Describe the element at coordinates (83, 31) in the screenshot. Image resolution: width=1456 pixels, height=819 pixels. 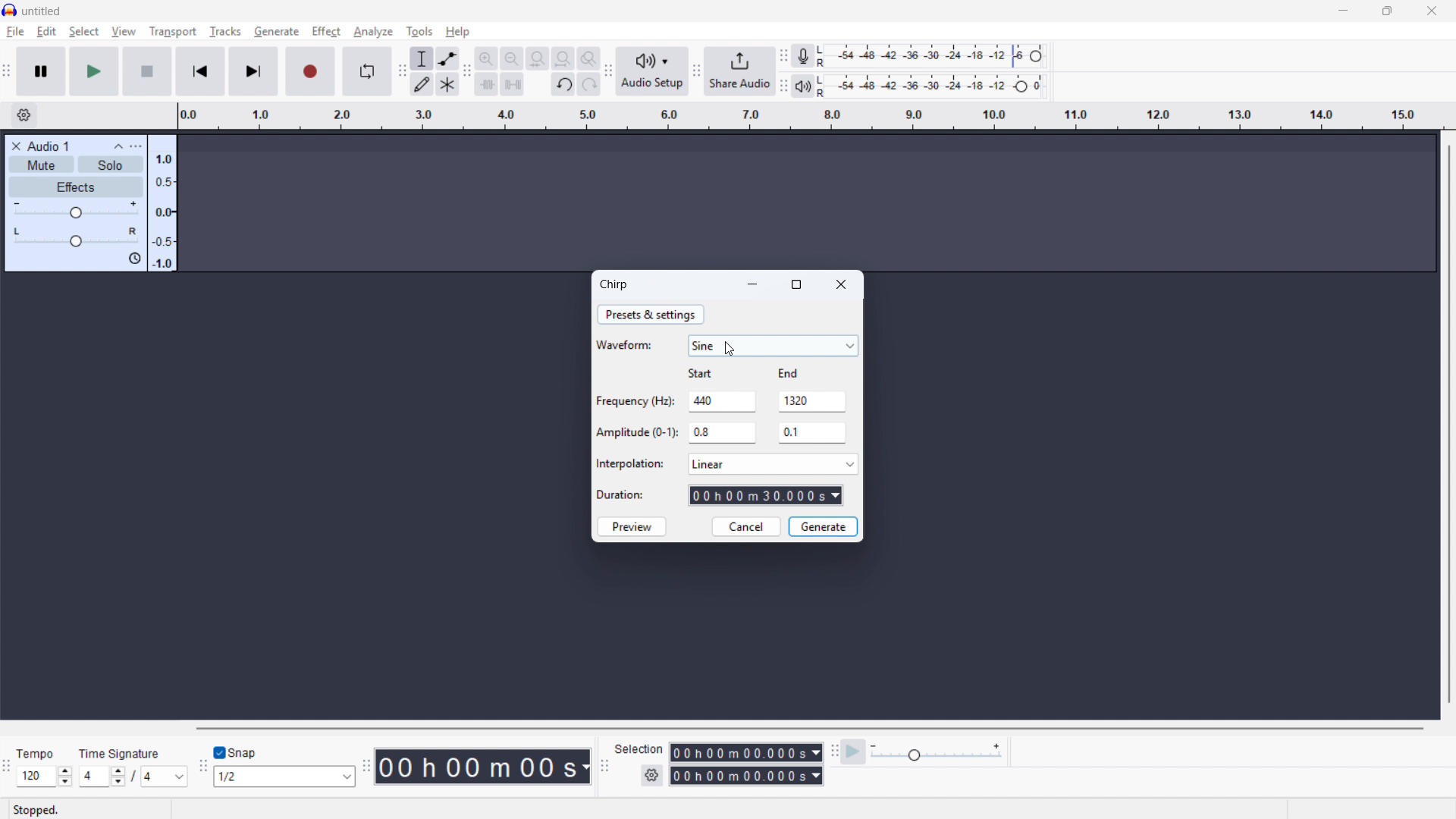
I see `select ` at that location.